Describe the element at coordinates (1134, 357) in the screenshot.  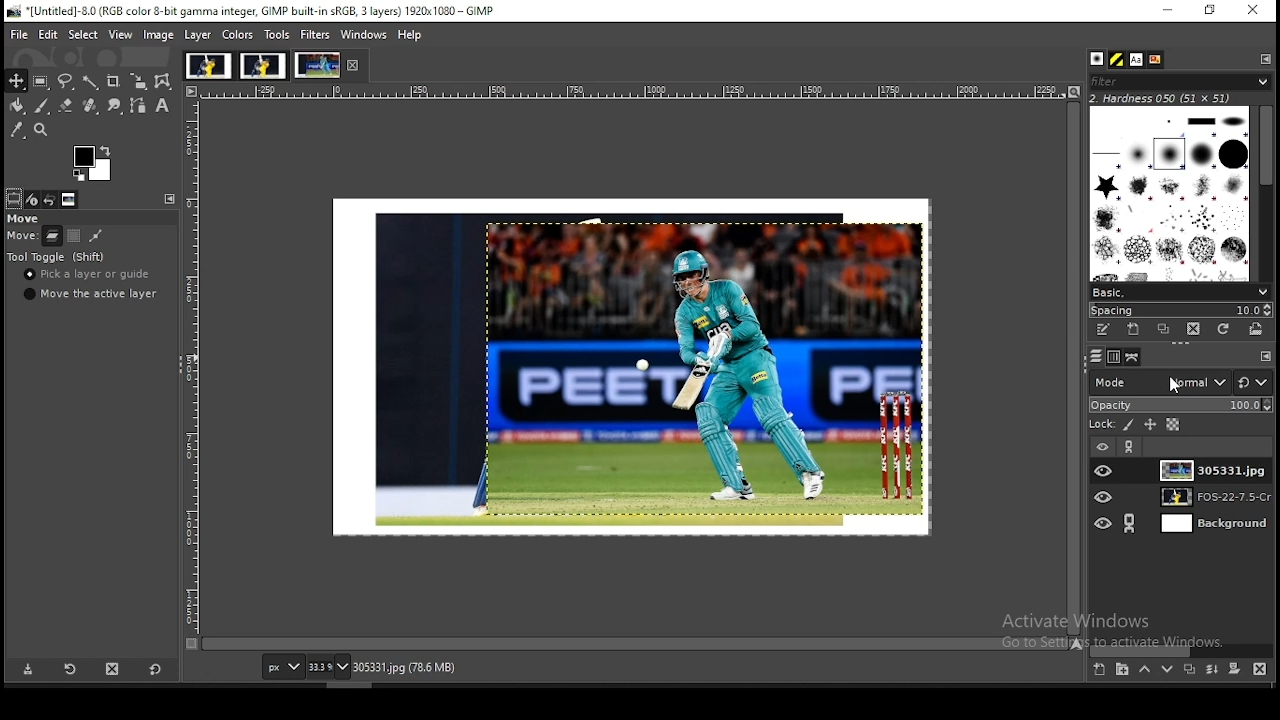
I see `paths` at that location.